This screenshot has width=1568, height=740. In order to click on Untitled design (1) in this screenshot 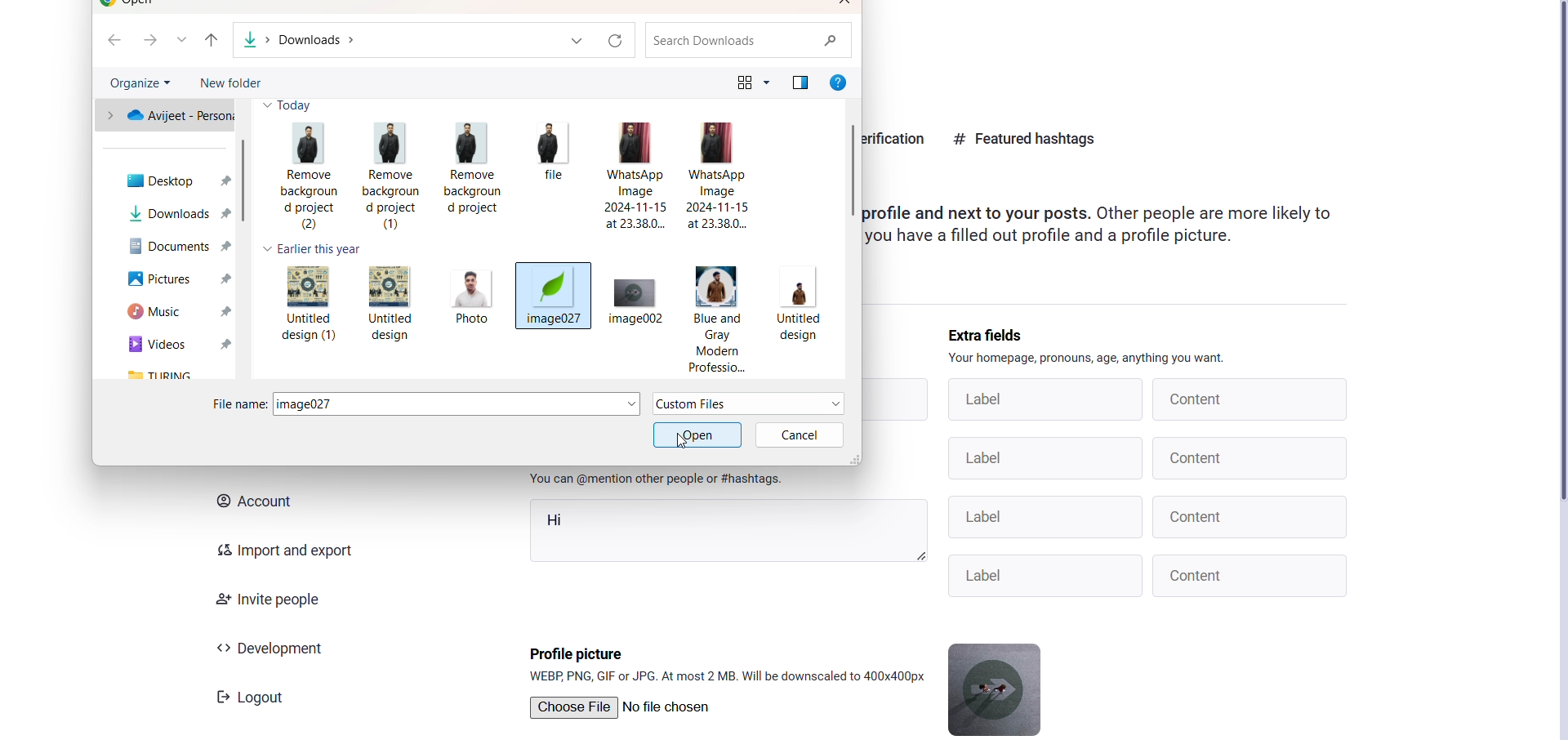, I will do `click(305, 307)`.